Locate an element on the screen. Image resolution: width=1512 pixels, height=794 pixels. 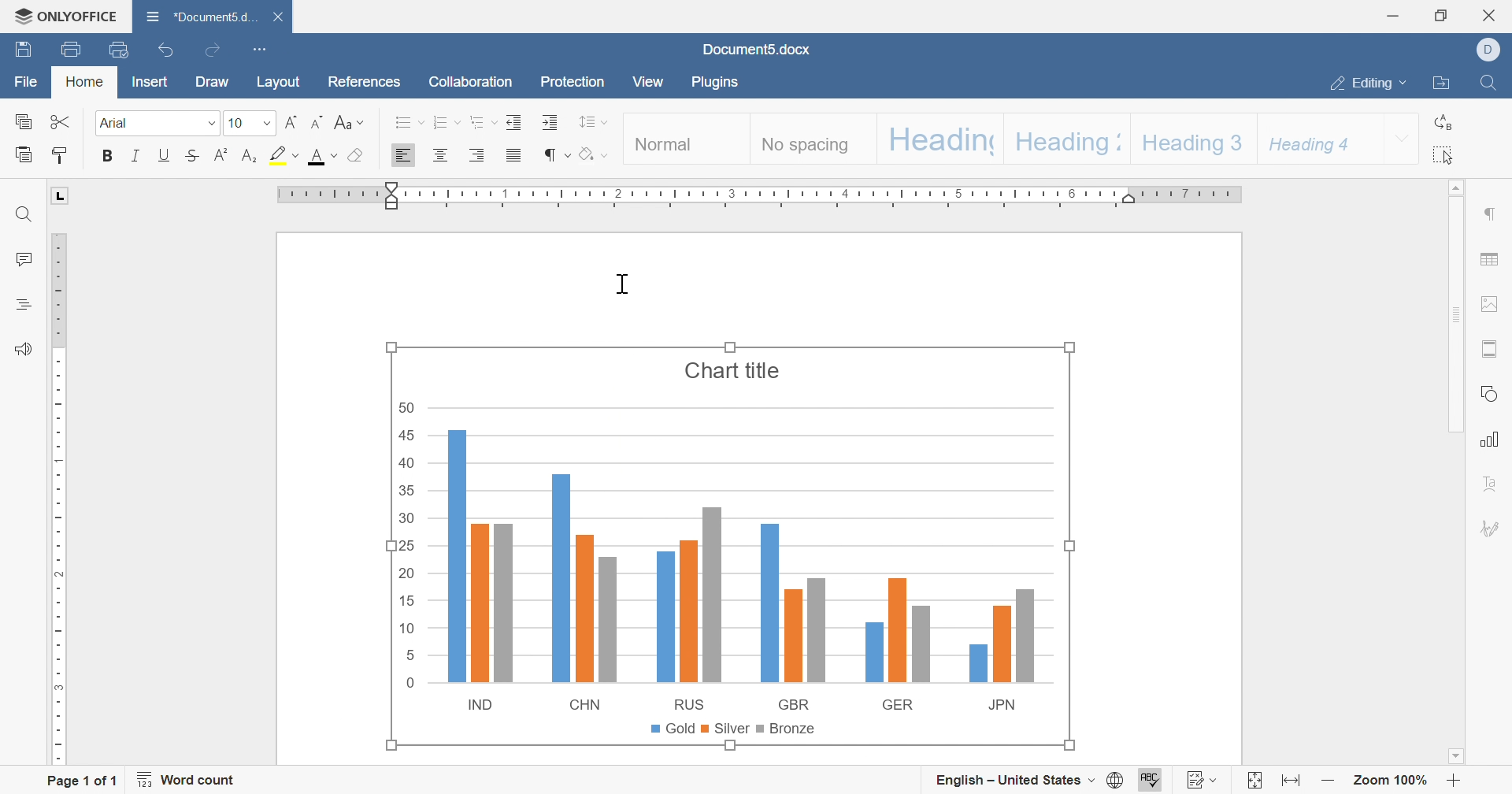
strikethrough is located at coordinates (192, 155).